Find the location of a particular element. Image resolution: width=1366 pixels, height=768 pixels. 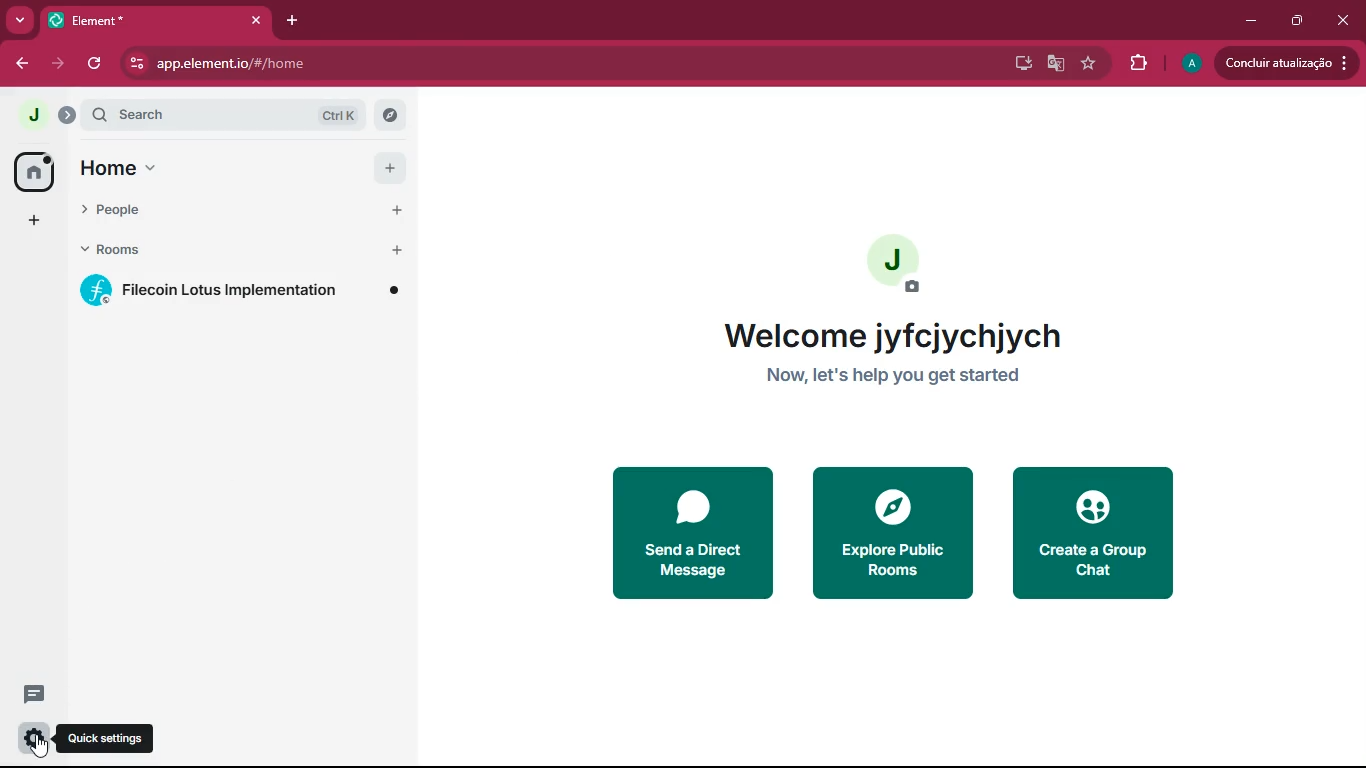

maximize is located at coordinates (1293, 21).